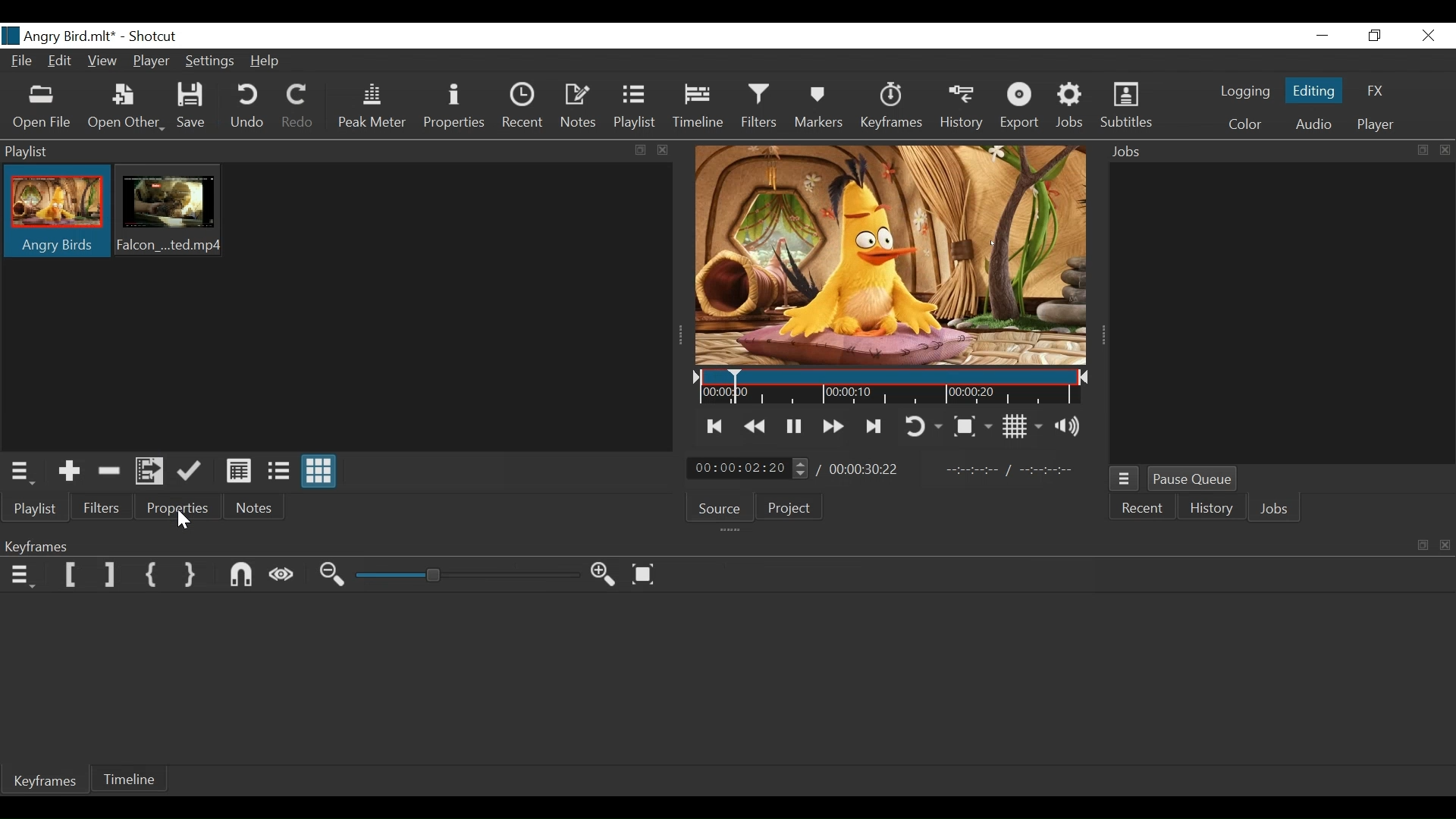  Describe the element at coordinates (521, 107) in the screenshot. I see `Recent` at that location.